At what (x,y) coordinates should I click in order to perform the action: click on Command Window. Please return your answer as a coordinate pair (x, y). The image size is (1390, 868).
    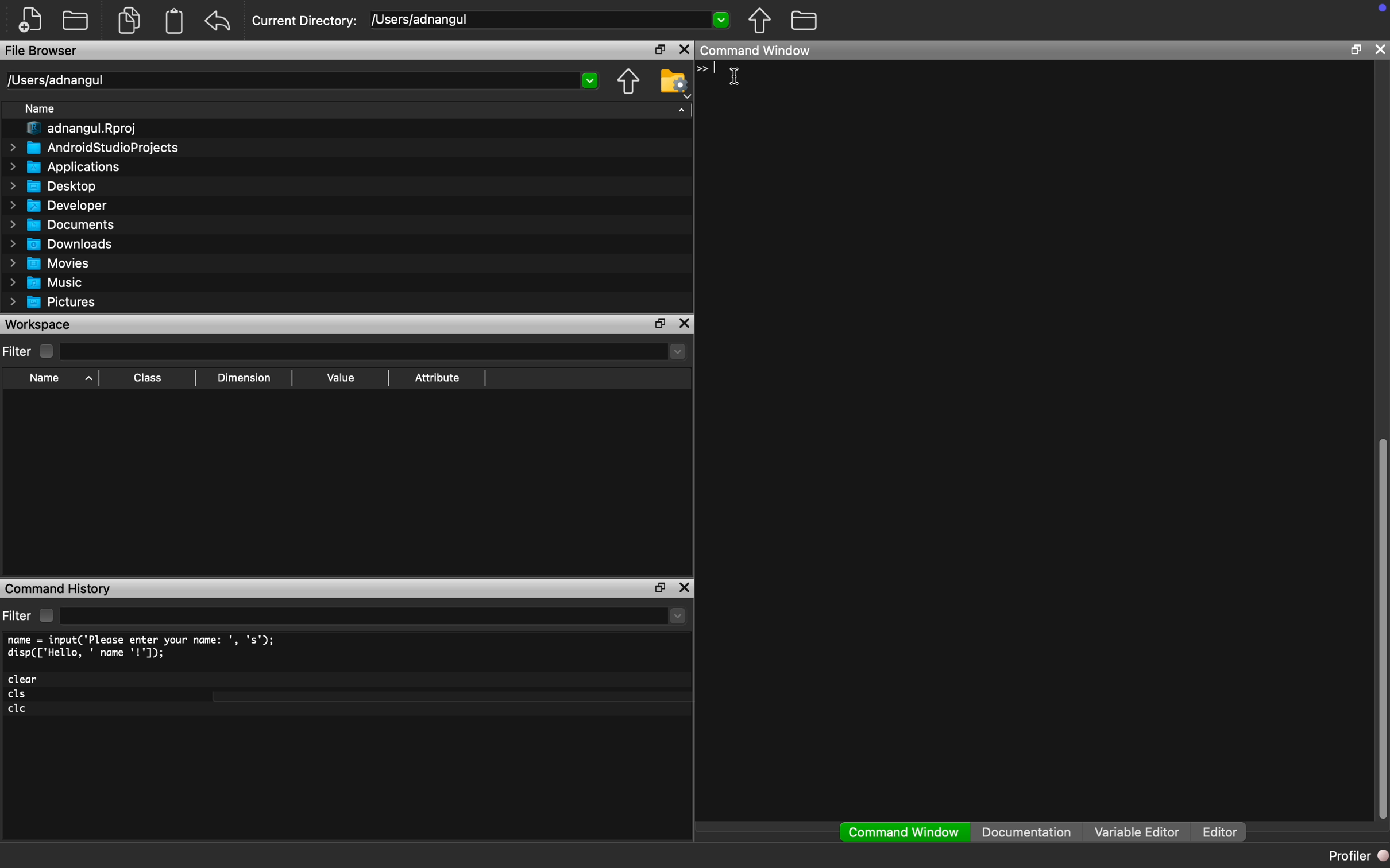
    Looking at the image, I should click on (755, 51).